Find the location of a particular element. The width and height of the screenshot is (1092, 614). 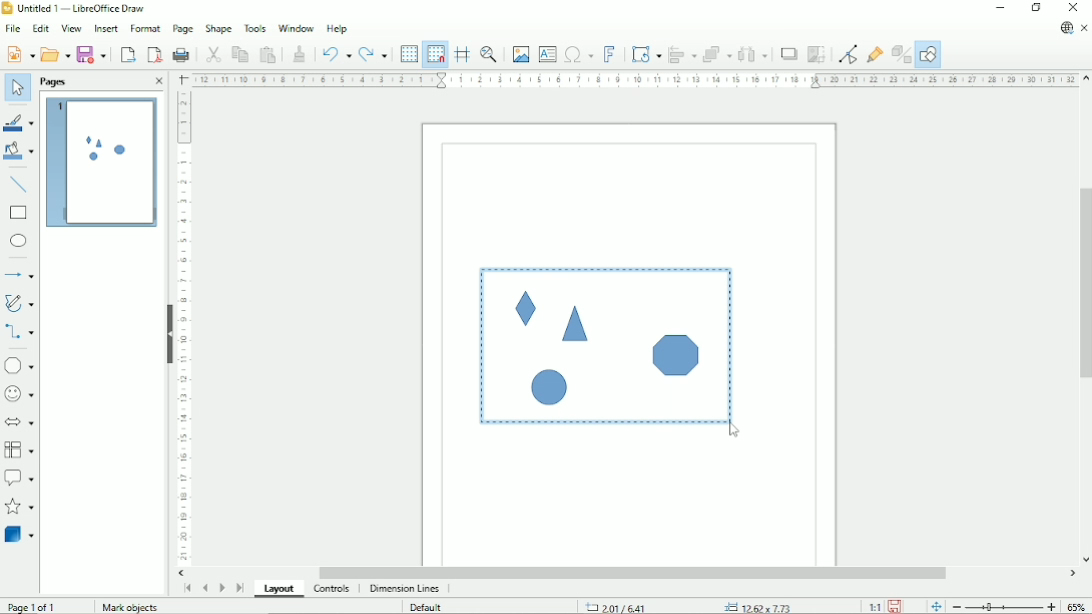

File is located at coordinates (12, 28).